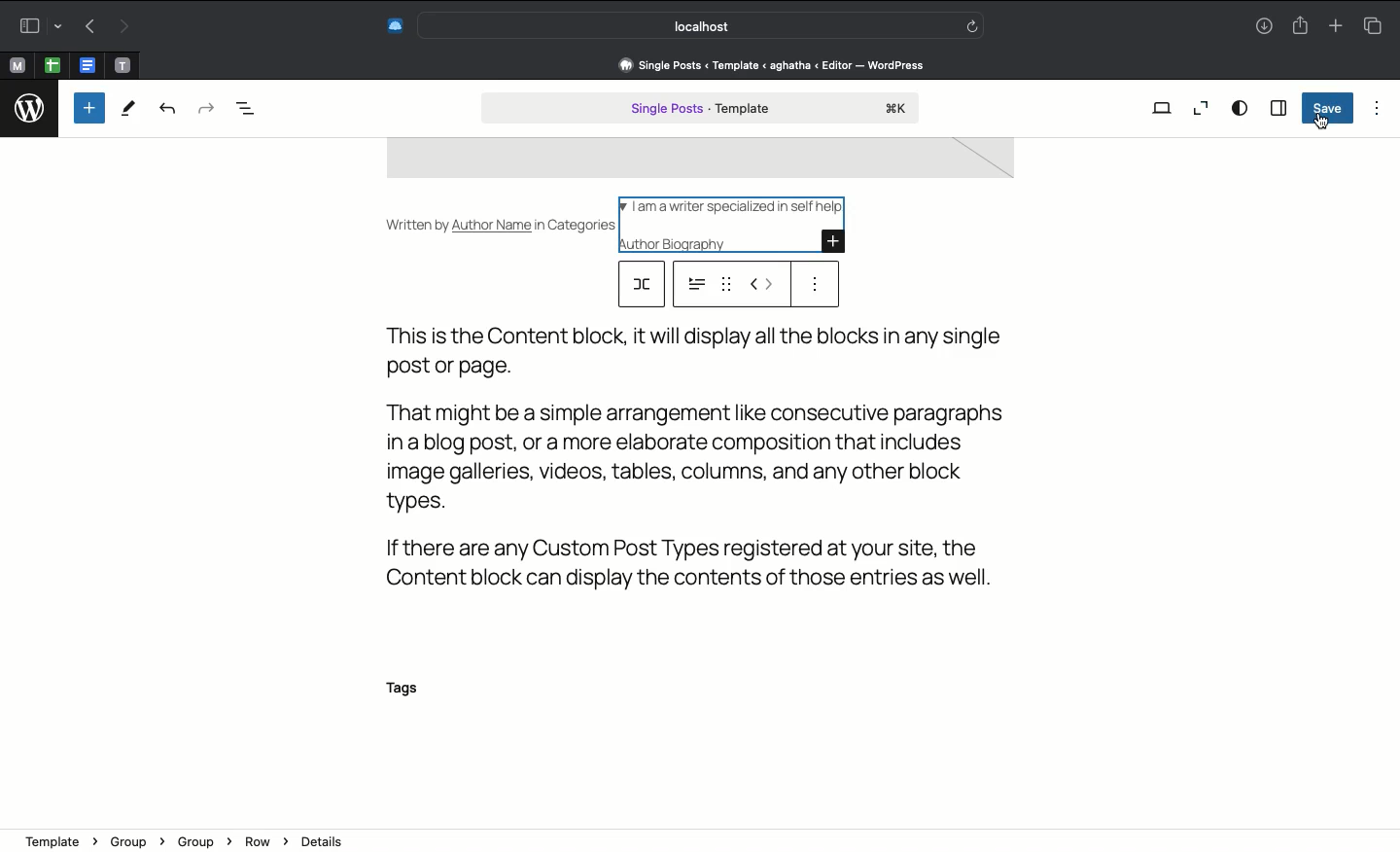  Describe the element at coordinates (89, 108) in the screenshot. I see `Add new block` at that location.